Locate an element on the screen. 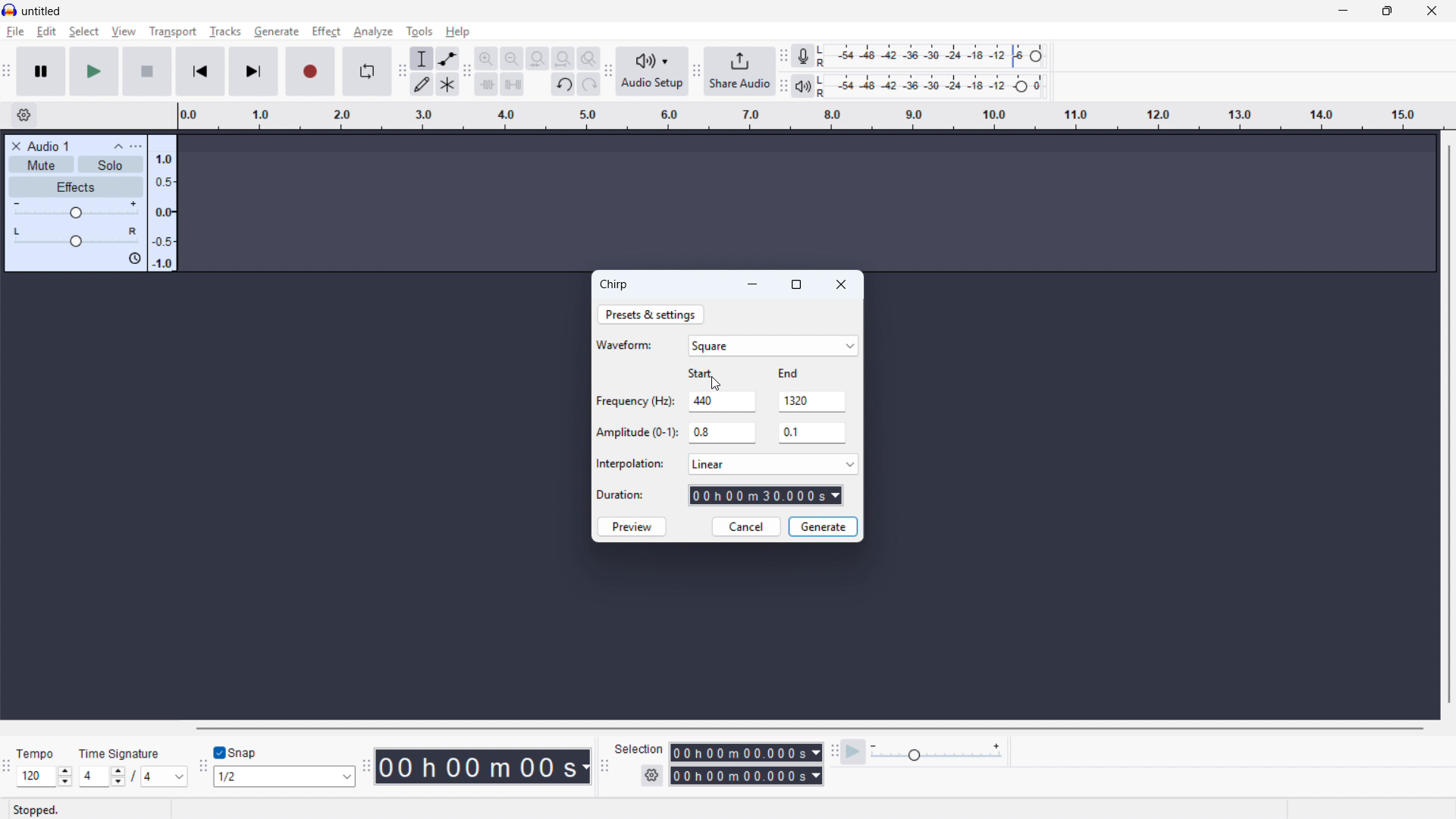  Set snapping  is located at coordinates (284, 777).